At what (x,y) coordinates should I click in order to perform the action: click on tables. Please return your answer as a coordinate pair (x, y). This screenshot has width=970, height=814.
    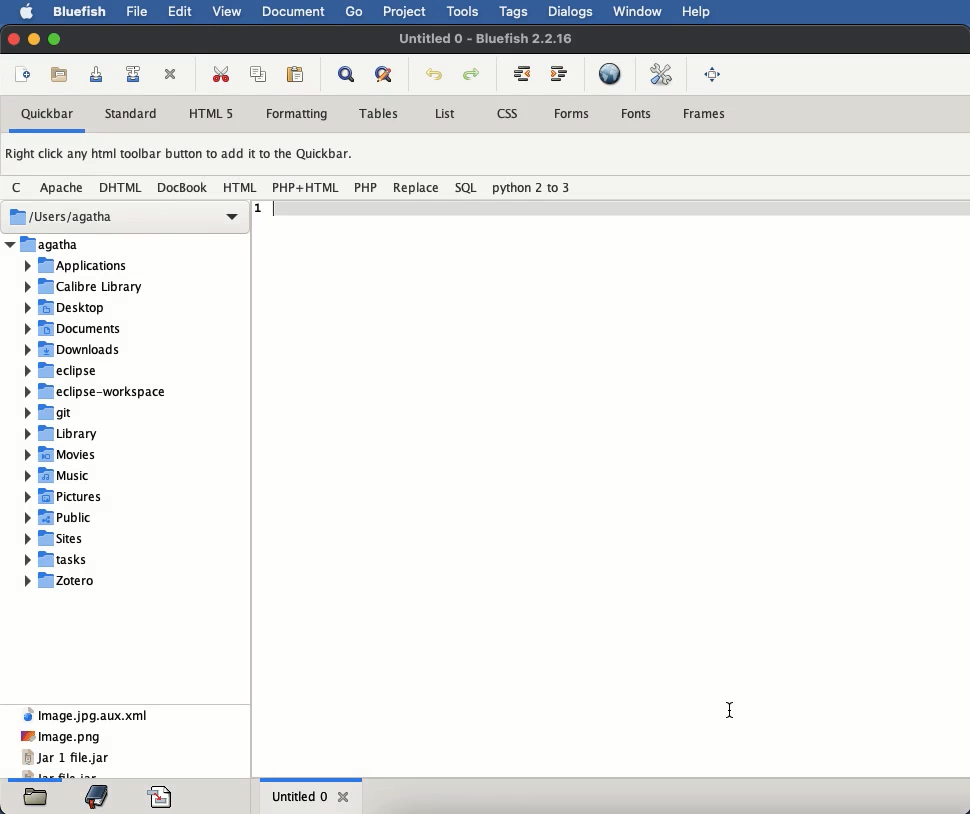
    Looking at the image, I should click on (384, 113).